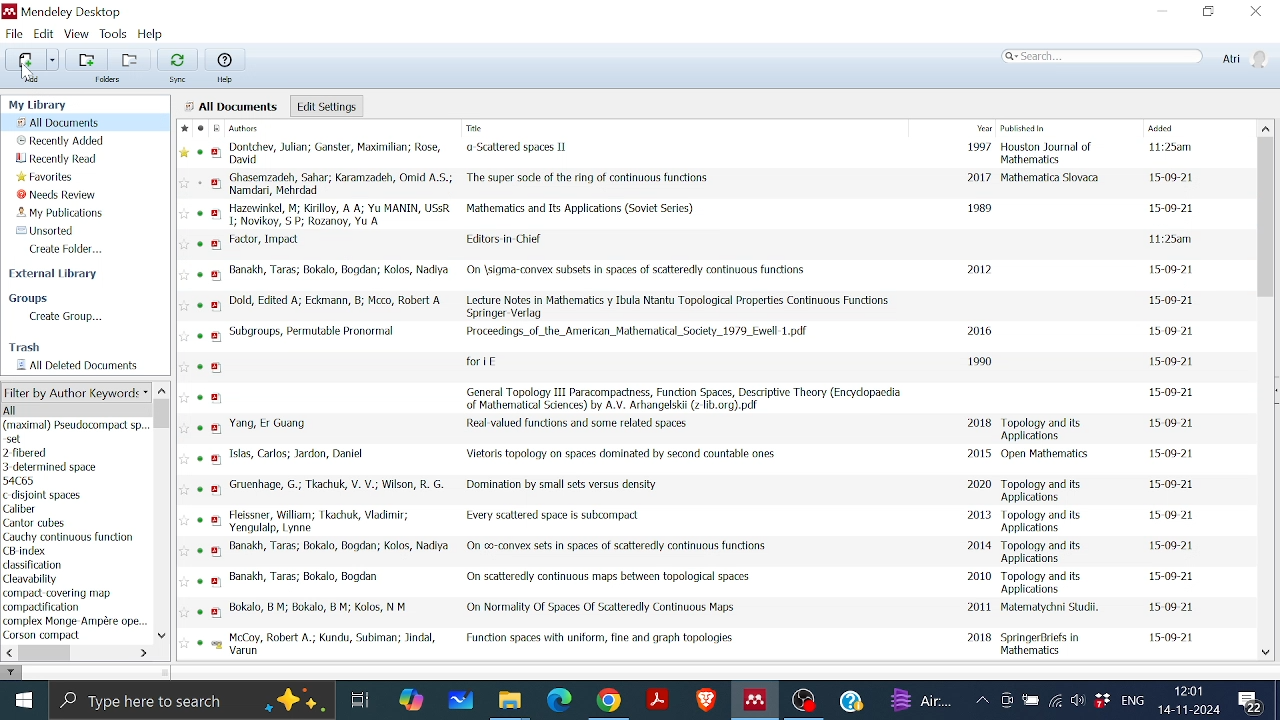 Image resolution: width=1280 pixels, height=720 pixels. Describe the element at coordinates (220, 553) in the screenshot. I see `pdf` at that location.